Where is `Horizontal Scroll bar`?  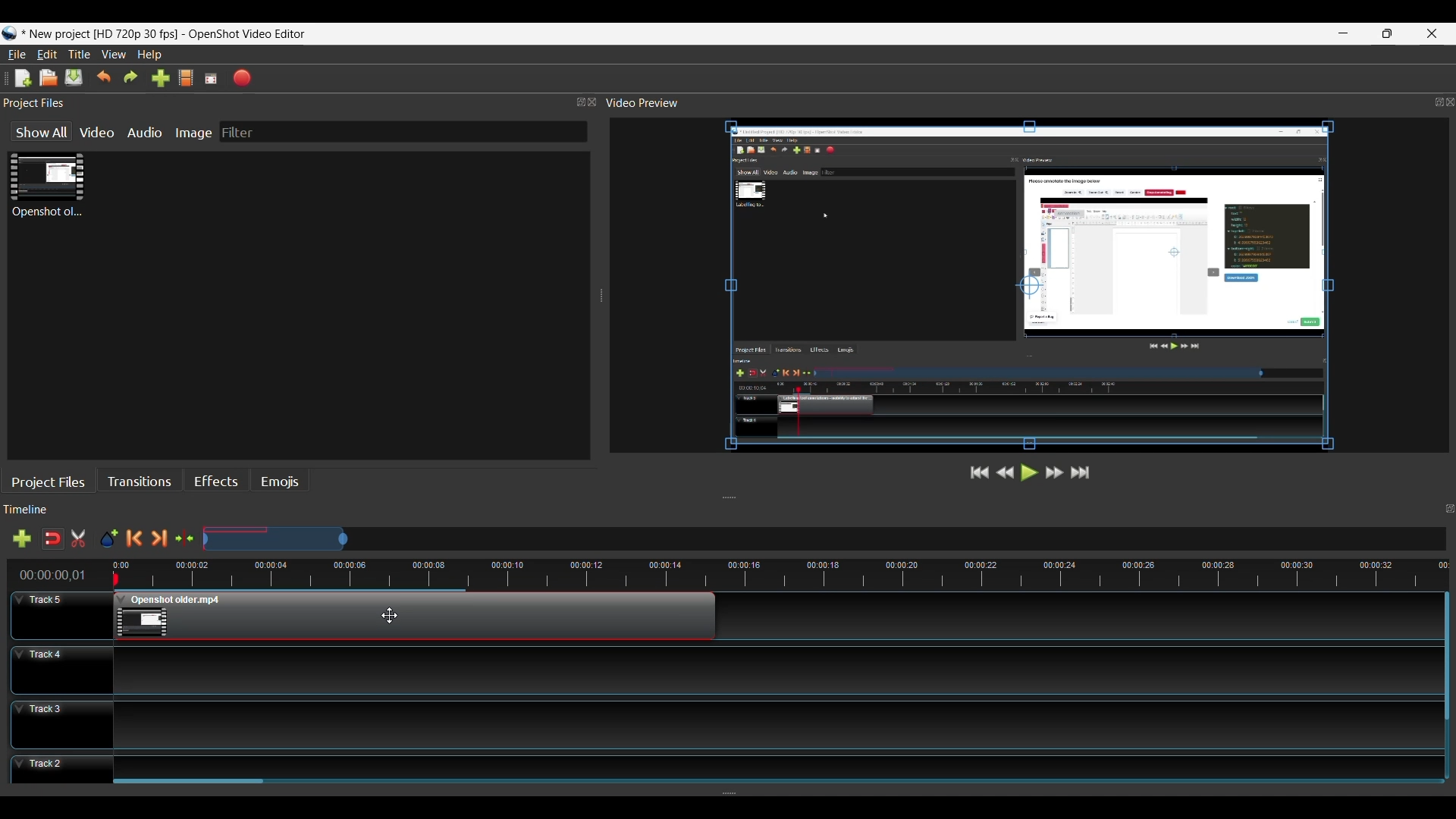 Horizontal Scroll bar is located at coordinates (192, 785).